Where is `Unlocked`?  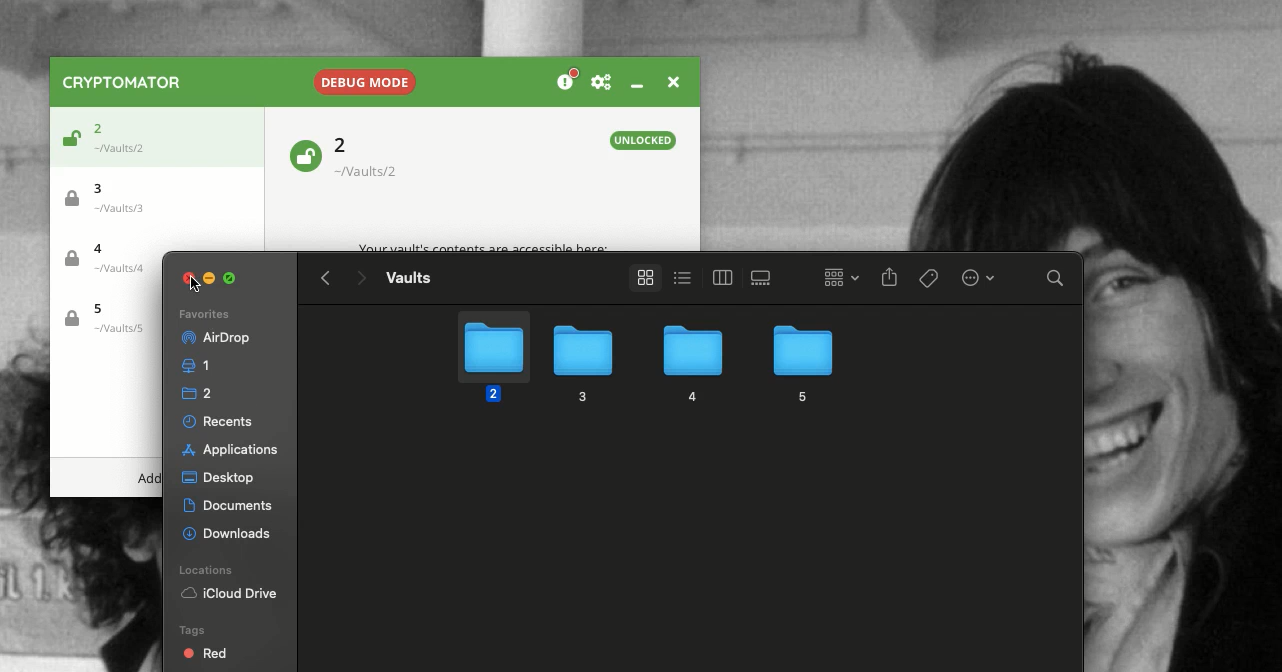
Unlocked is located at coordinates (304, 154).